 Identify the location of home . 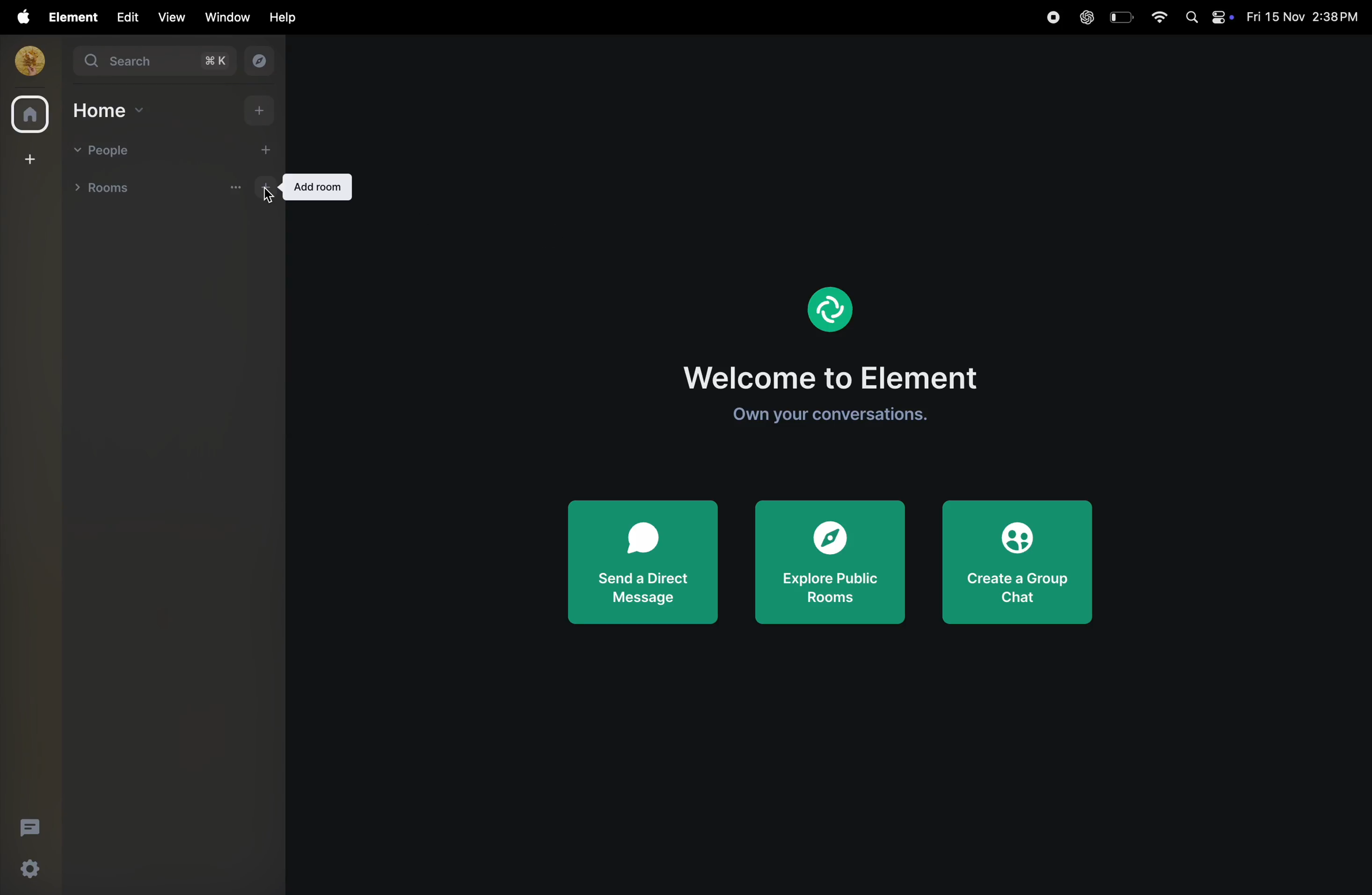
(29, 116).